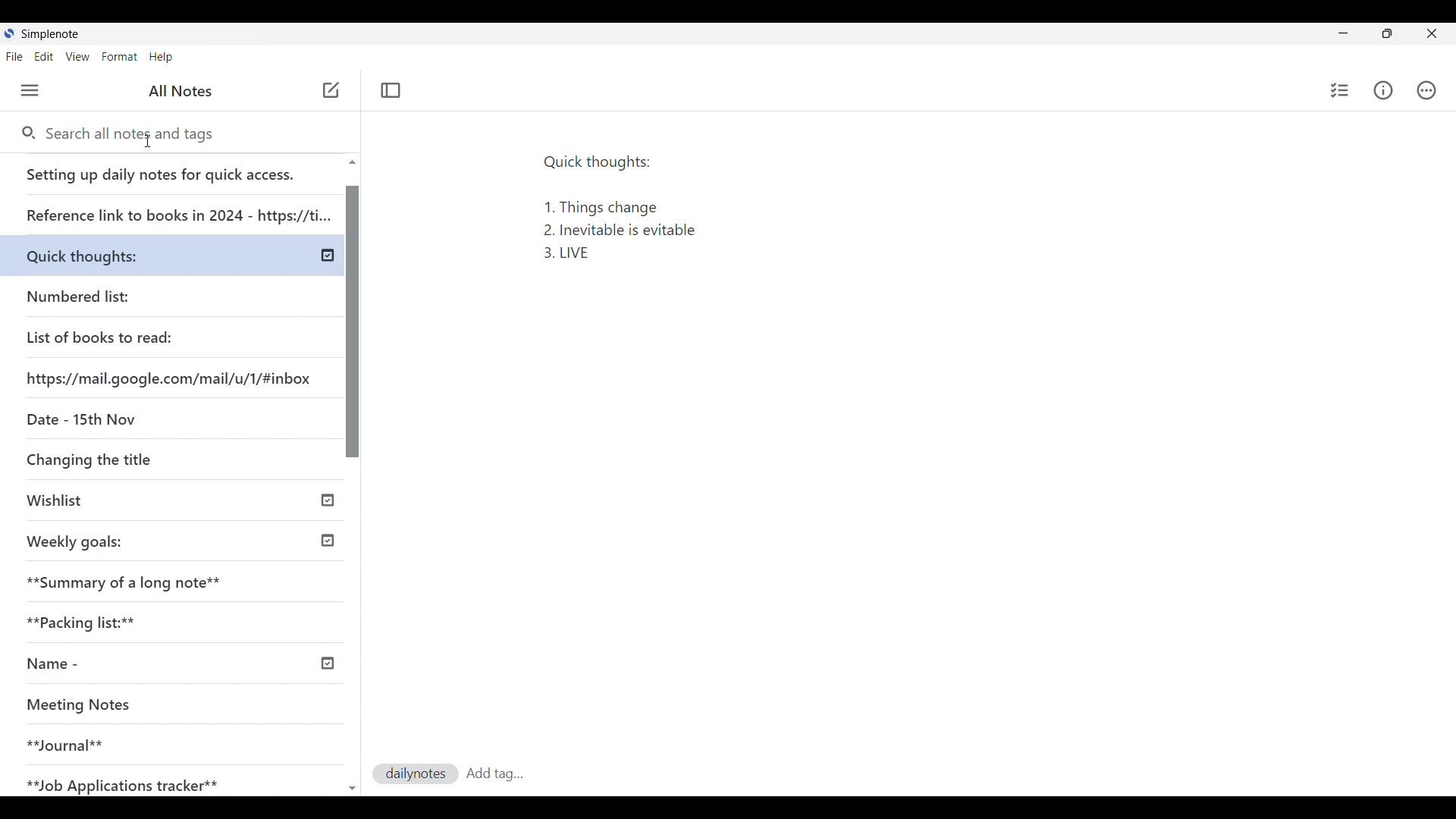  I want to click on Insert checklist, so click(1339, 90).